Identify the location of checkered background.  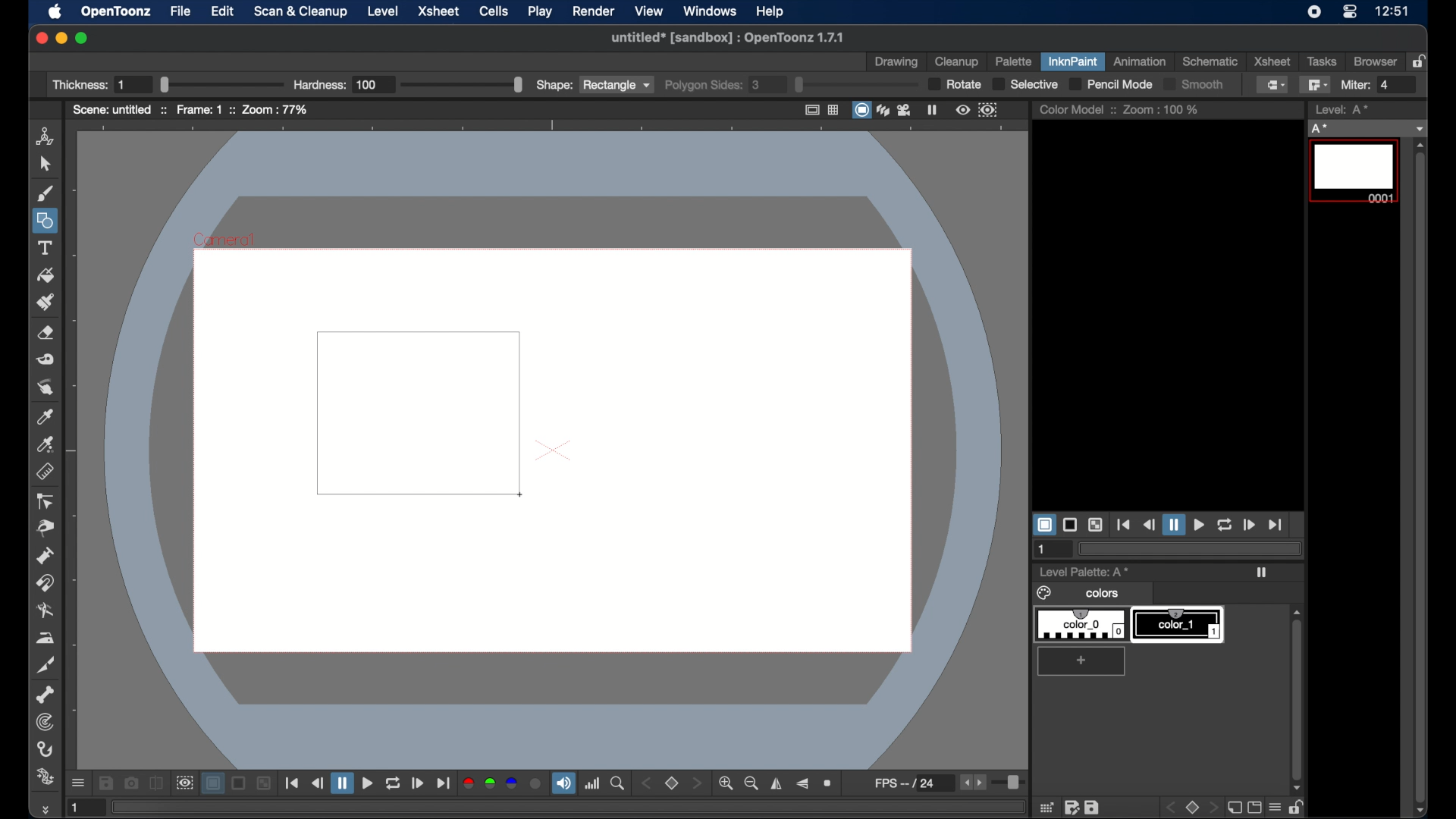
(263, 783).